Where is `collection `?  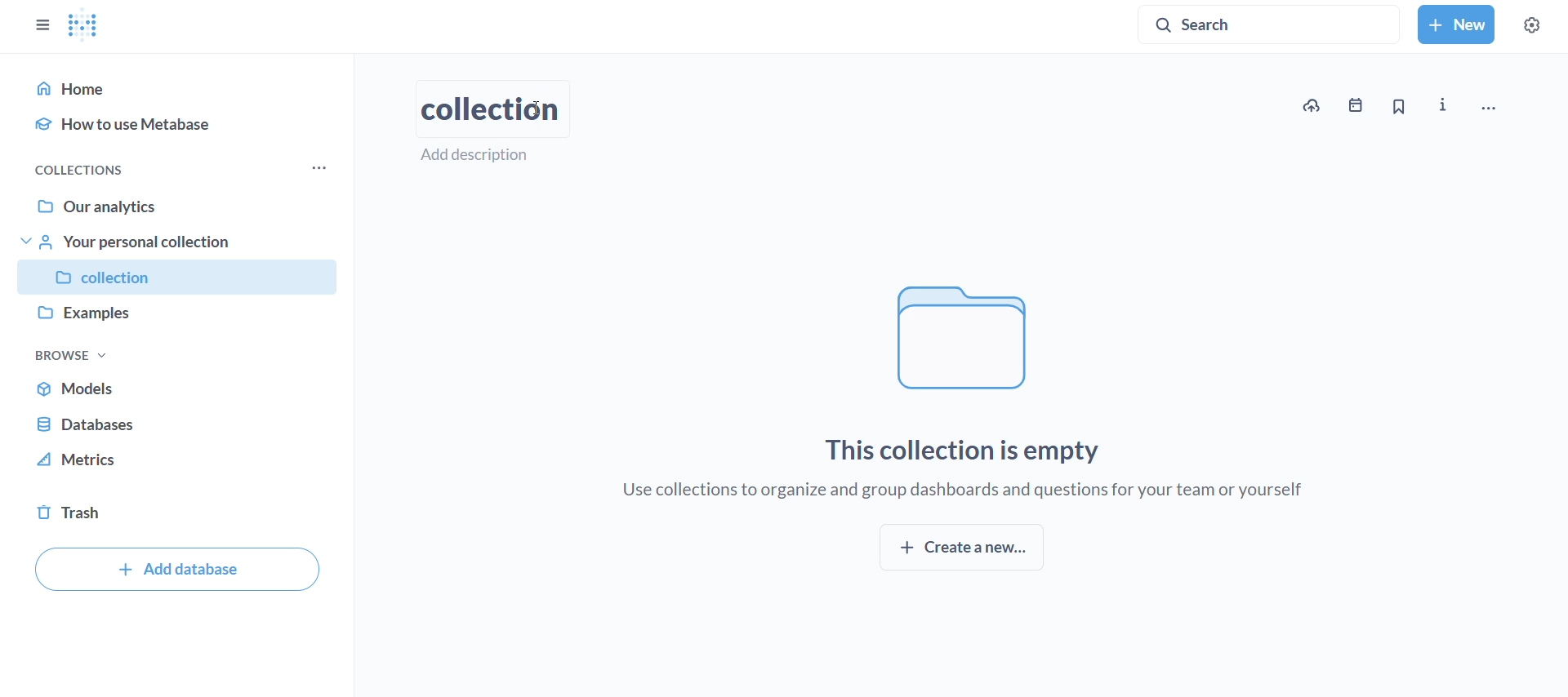 collection  is located at coordinates (179, 278).